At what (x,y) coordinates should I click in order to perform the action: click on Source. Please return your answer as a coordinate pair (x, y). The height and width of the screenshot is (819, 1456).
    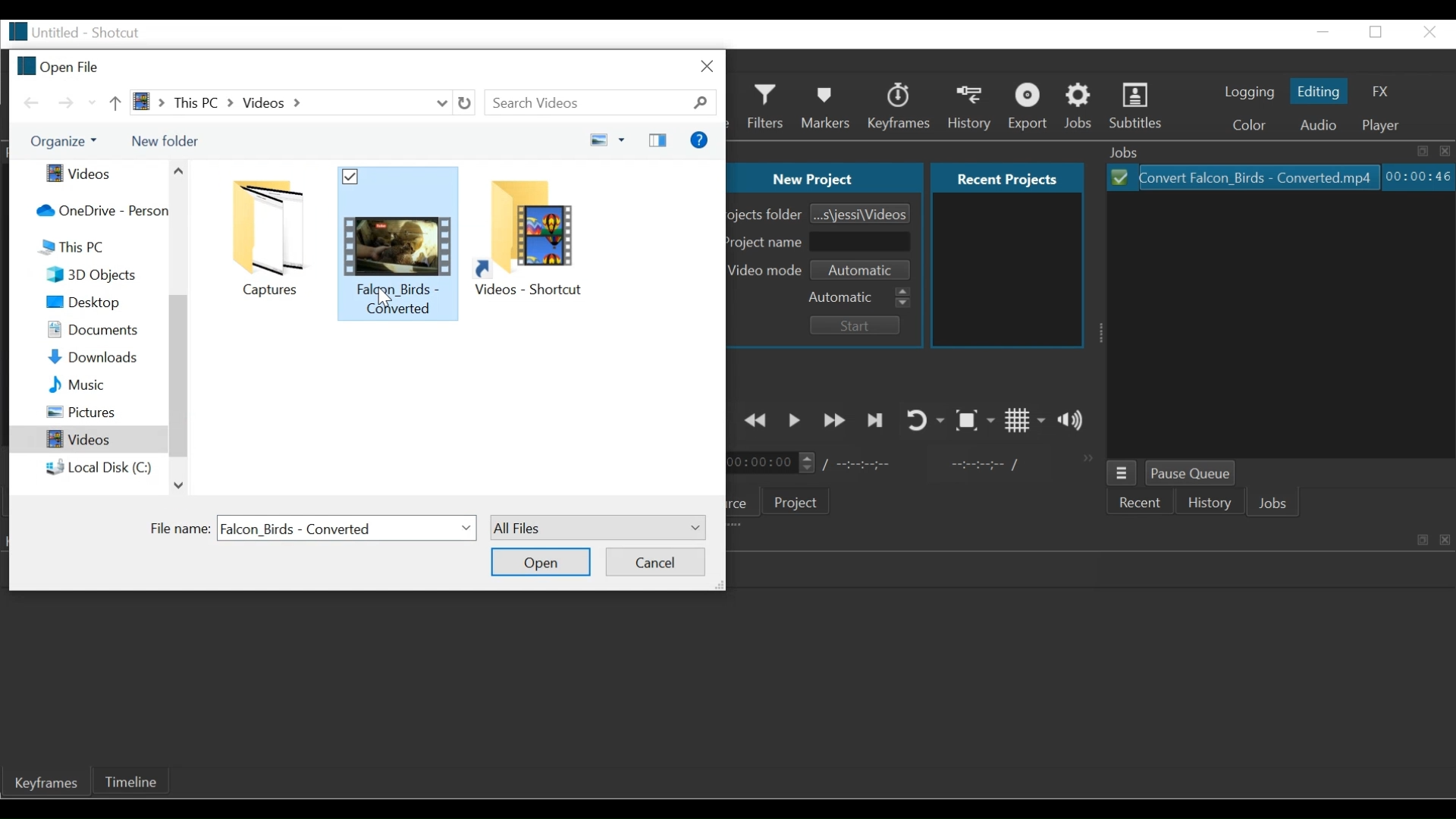
    Looking at the image, I should click on (748, 500).